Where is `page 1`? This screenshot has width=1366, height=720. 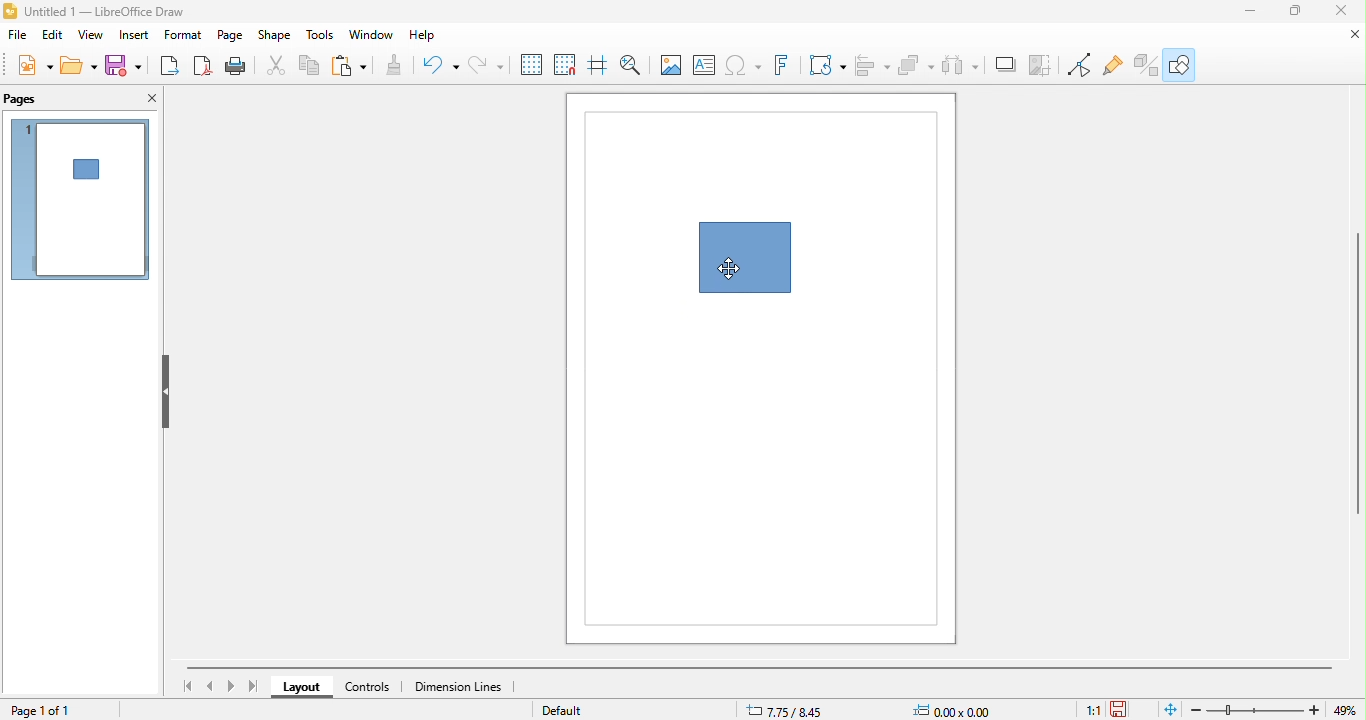 page 1 is located at coordinates (80, 199).